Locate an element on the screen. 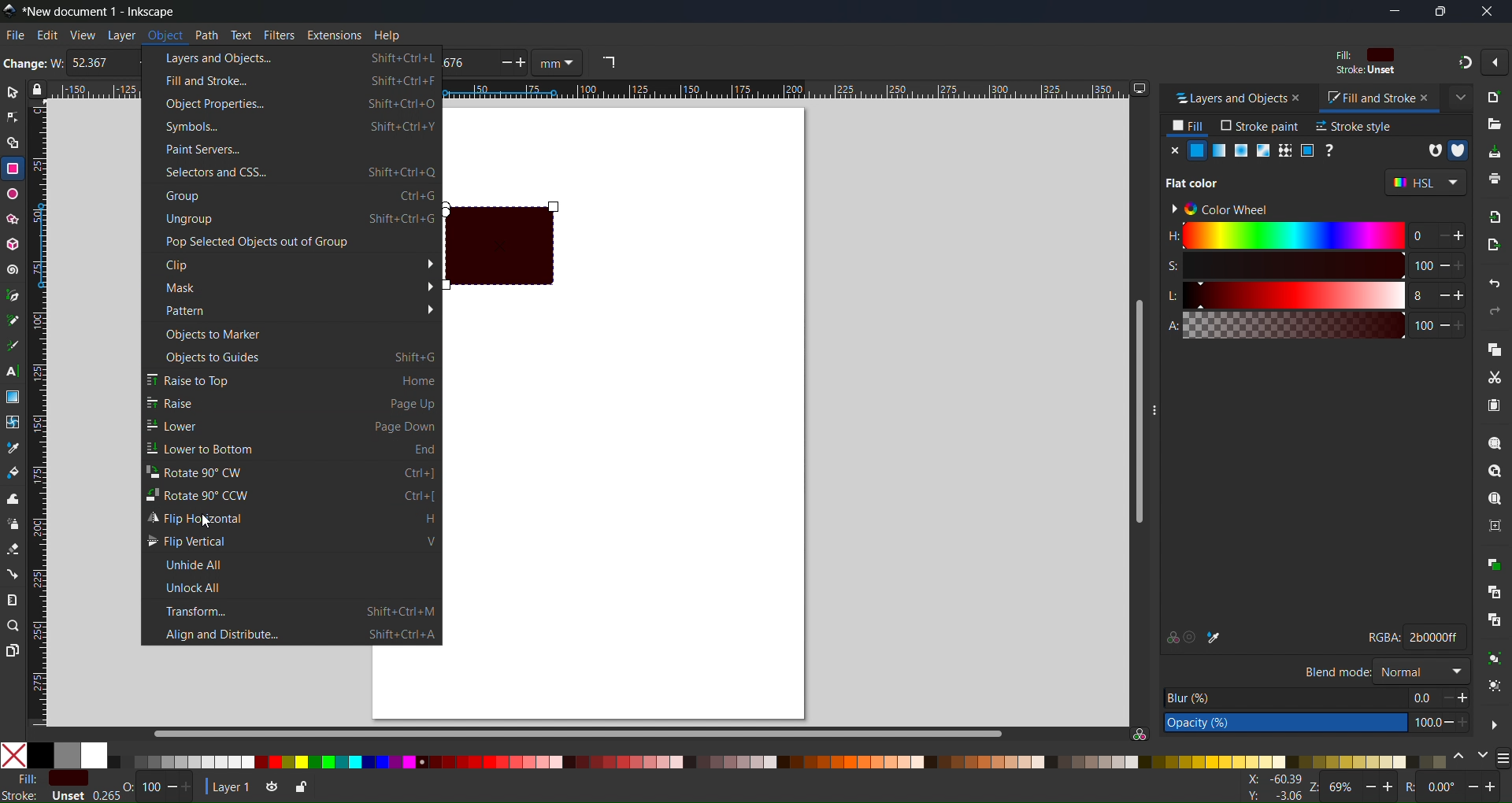  fill is located at coordinates (1189, 126).